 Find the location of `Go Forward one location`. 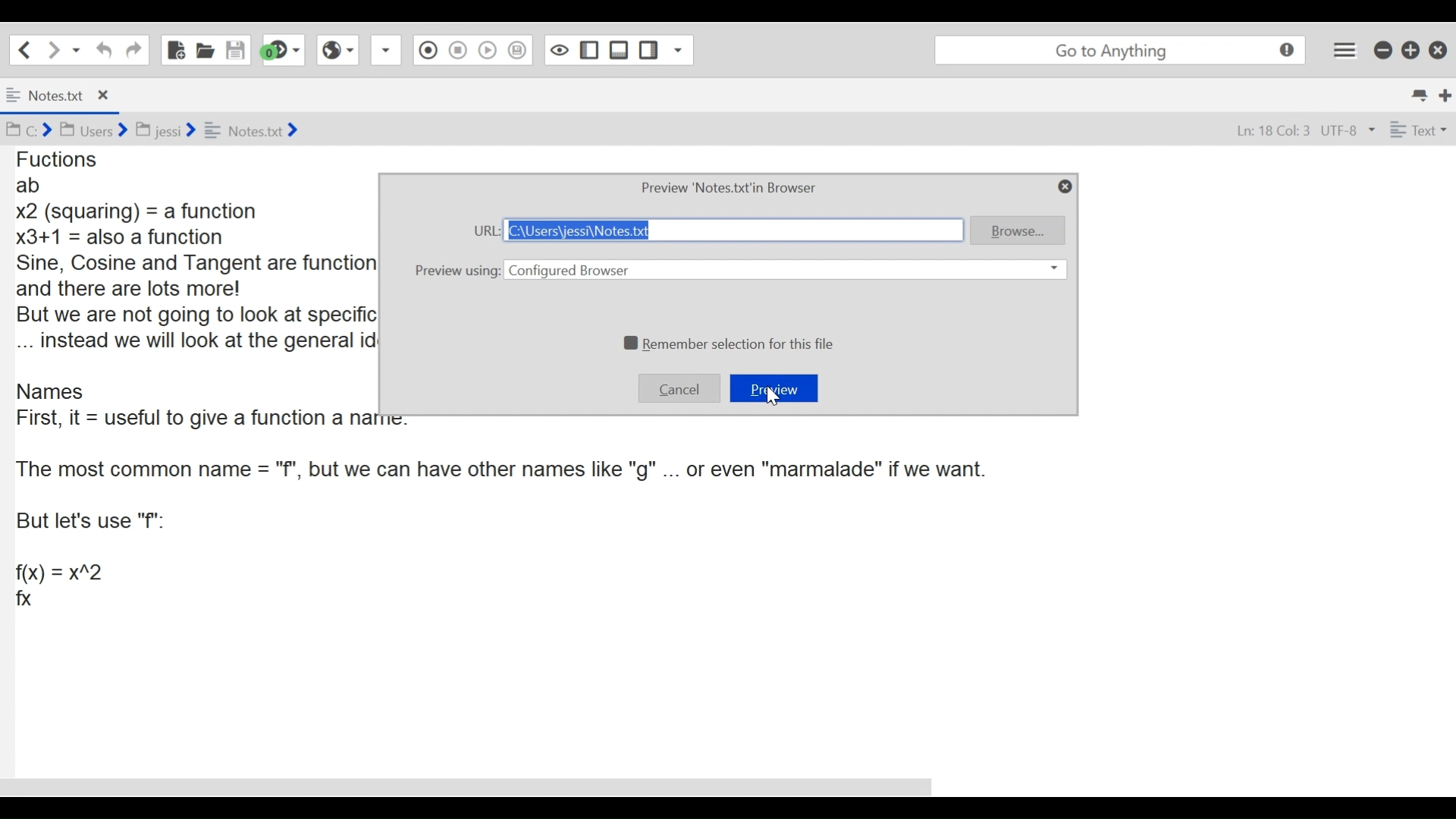

Go Forward one location is located at coordinates (54, 49).